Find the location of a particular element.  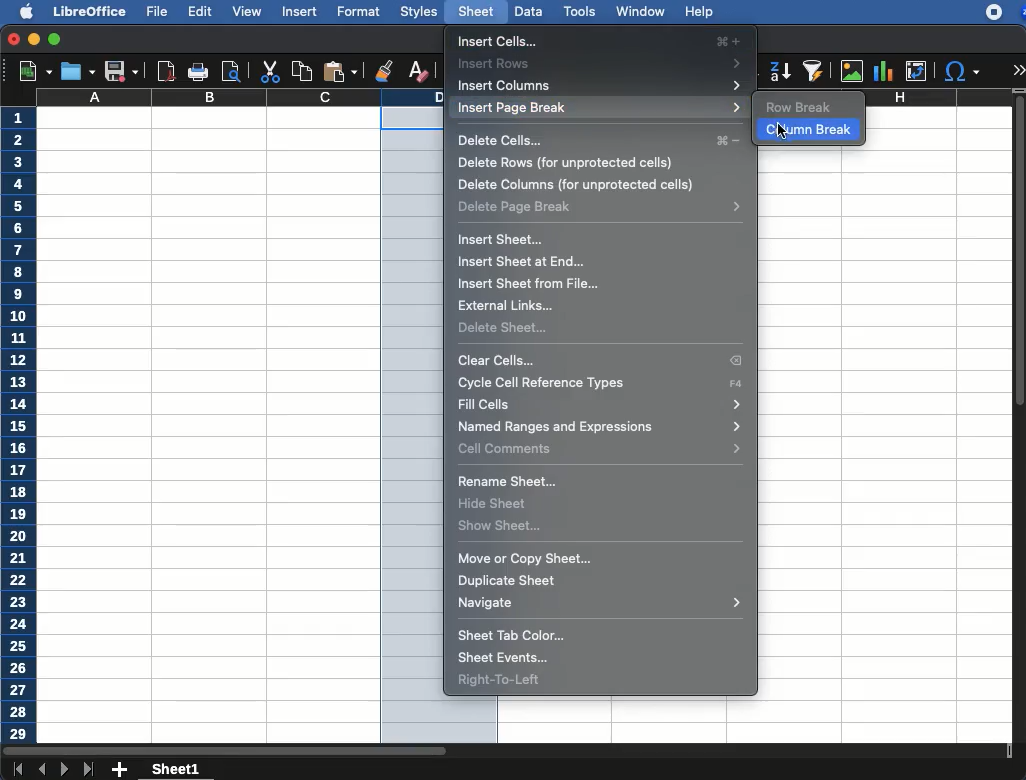

insert rows is located at coordinates (603, 64).